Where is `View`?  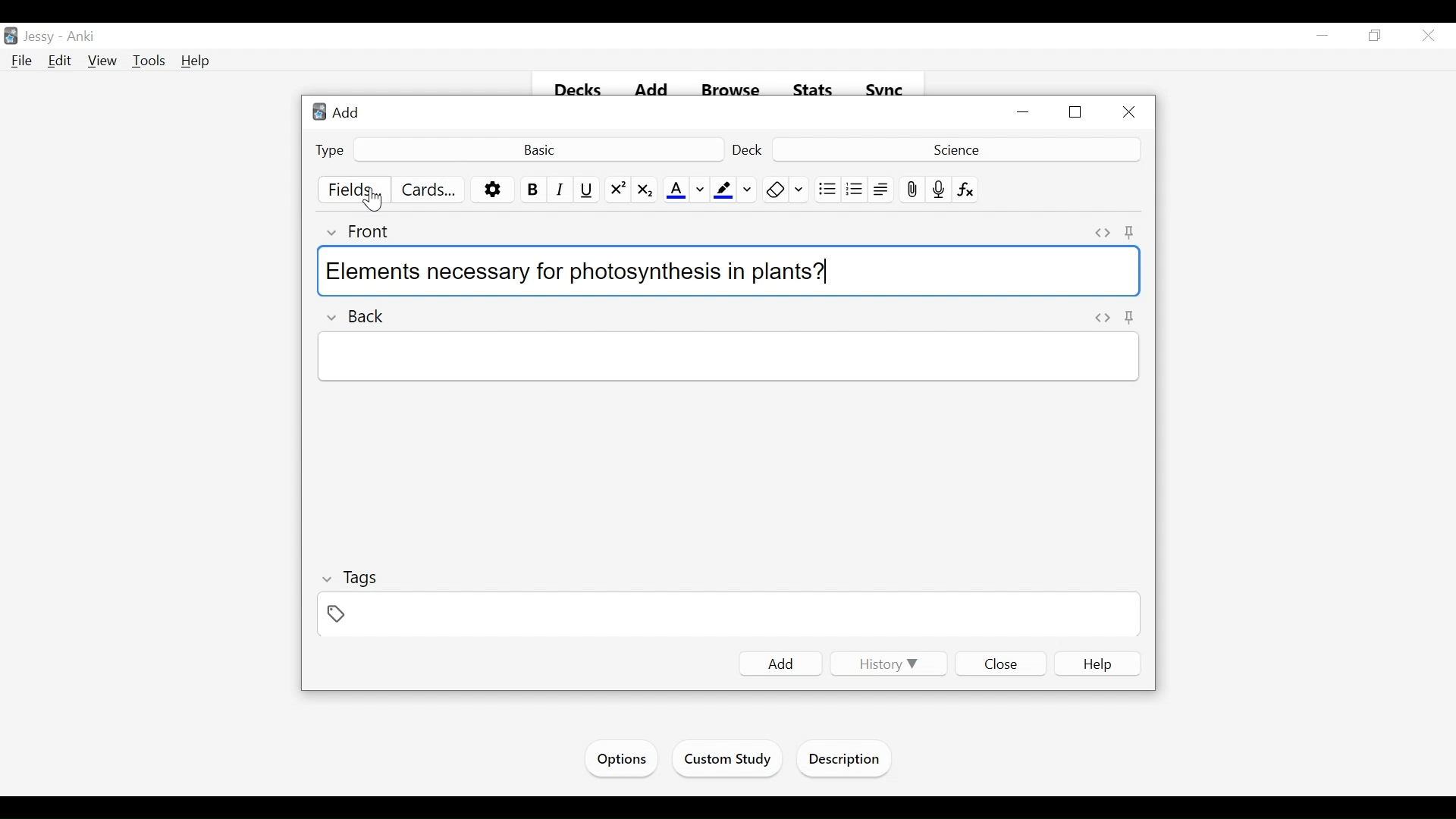 View is located at coordinates (103, 61).